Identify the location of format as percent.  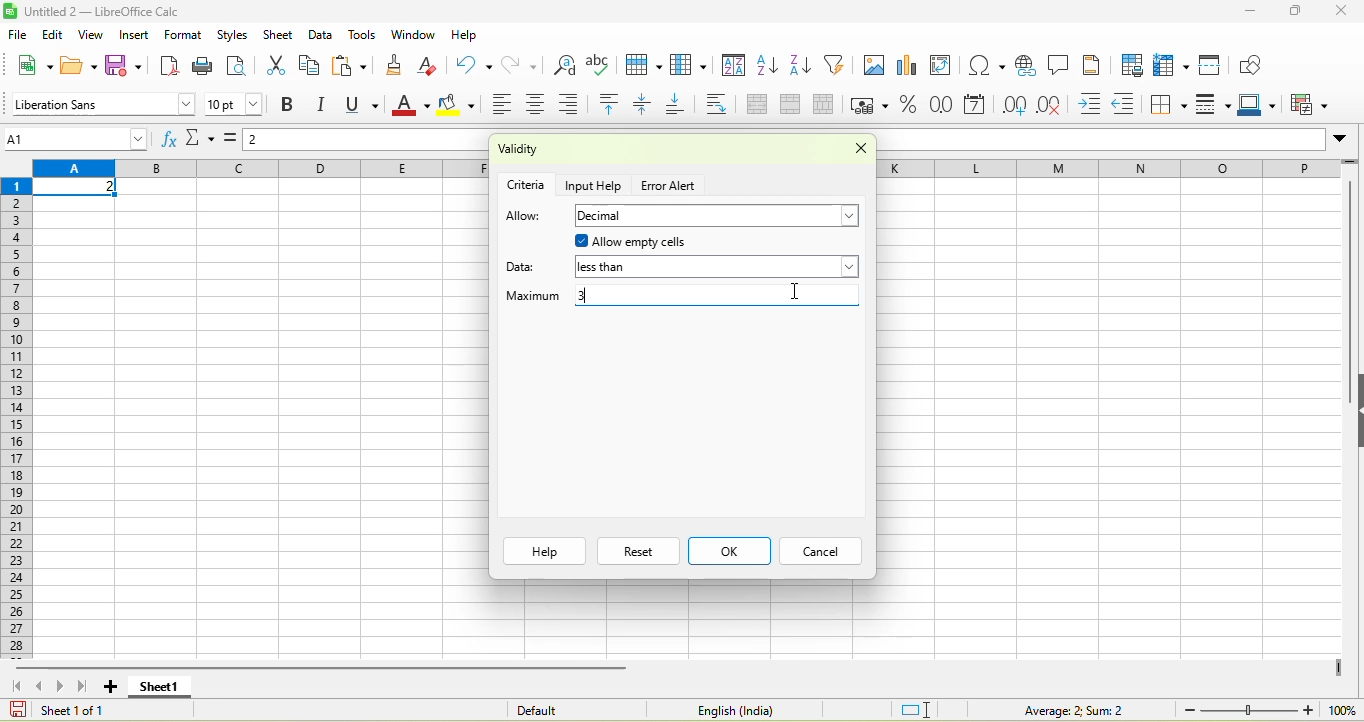
(909, 106).